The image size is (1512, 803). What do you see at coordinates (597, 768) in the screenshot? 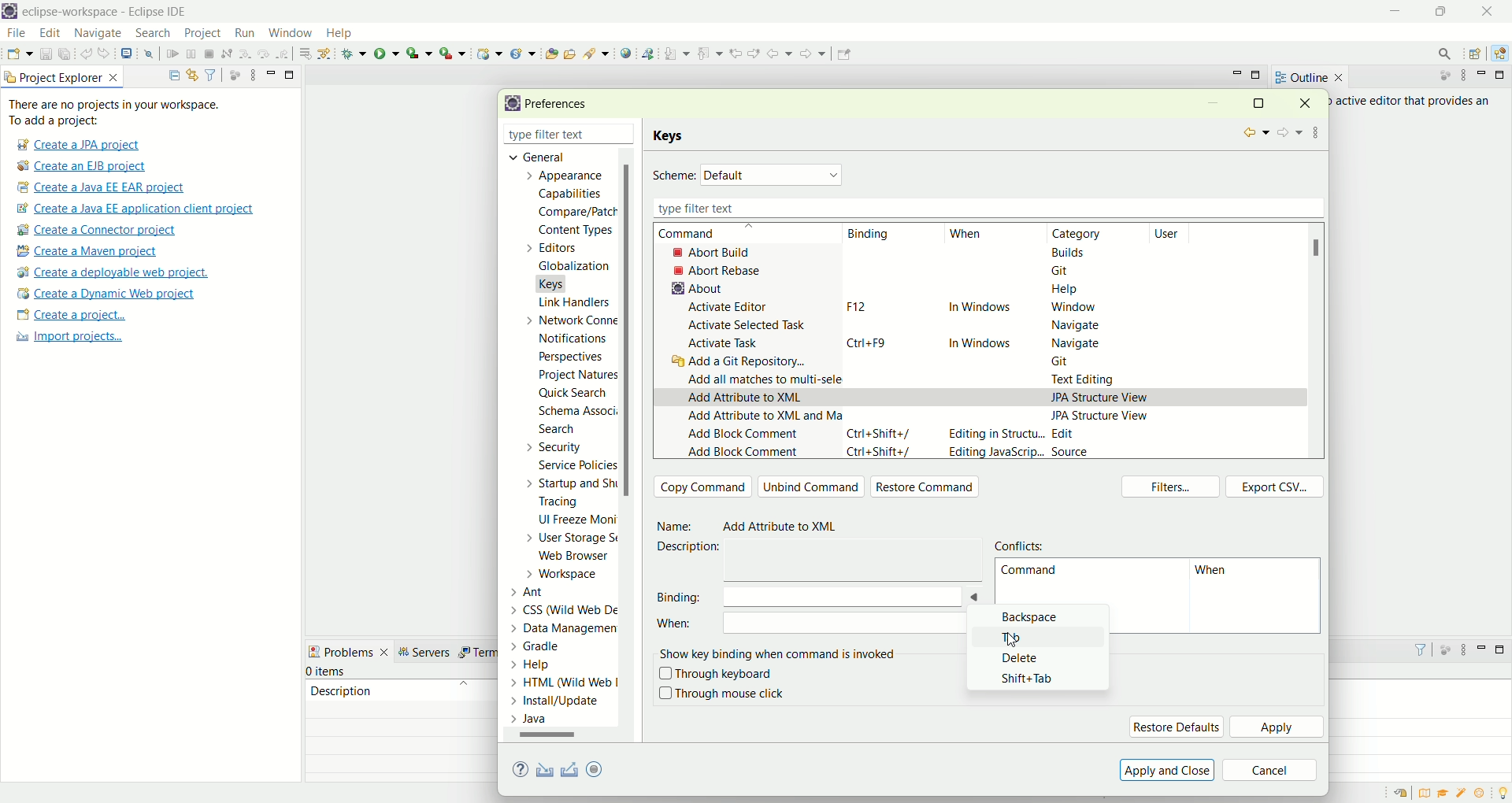
I see `oomph preference` at bounding box center [597, 768].